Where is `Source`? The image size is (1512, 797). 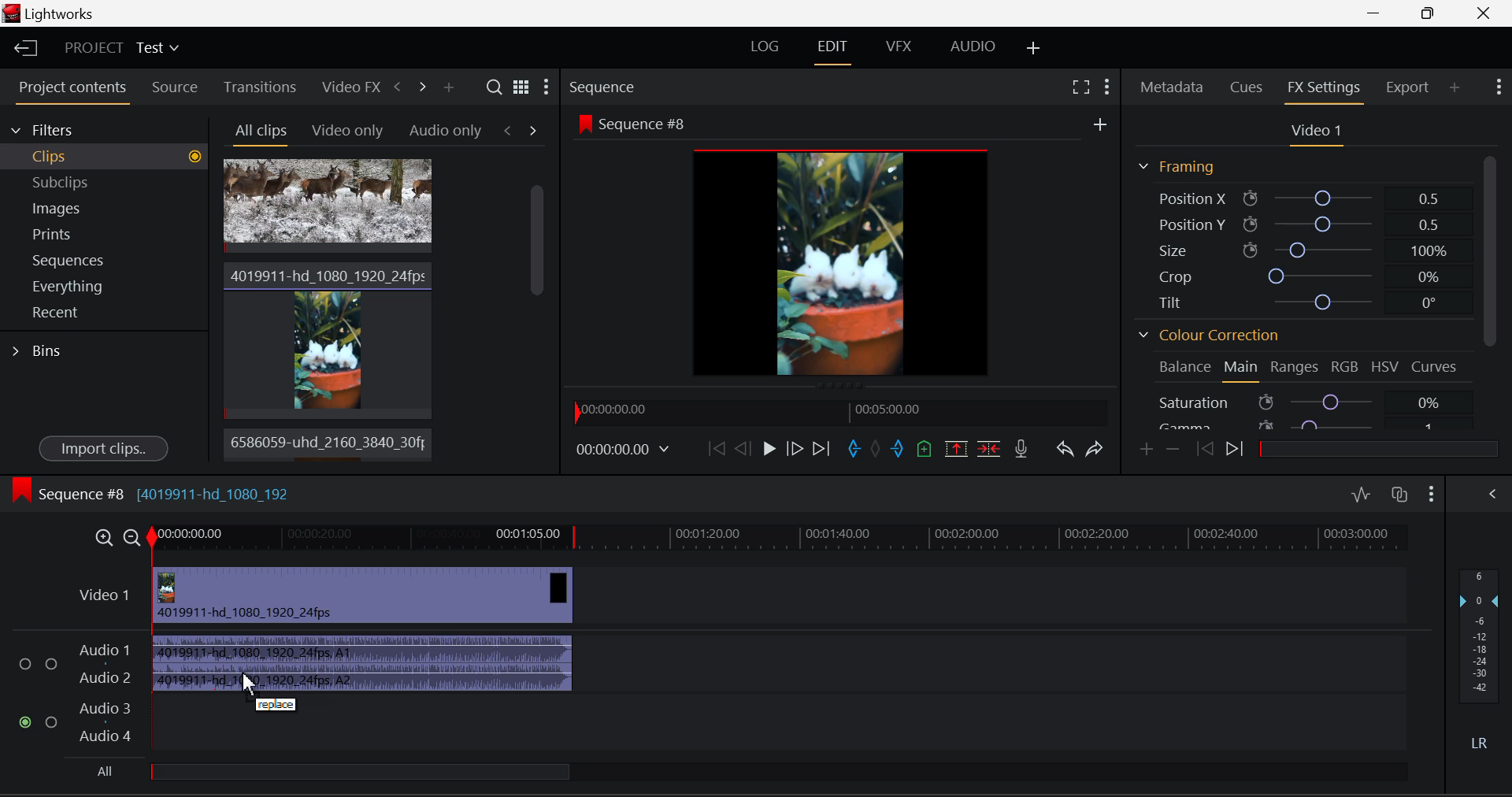
Source is located at coordinates (175, 89).